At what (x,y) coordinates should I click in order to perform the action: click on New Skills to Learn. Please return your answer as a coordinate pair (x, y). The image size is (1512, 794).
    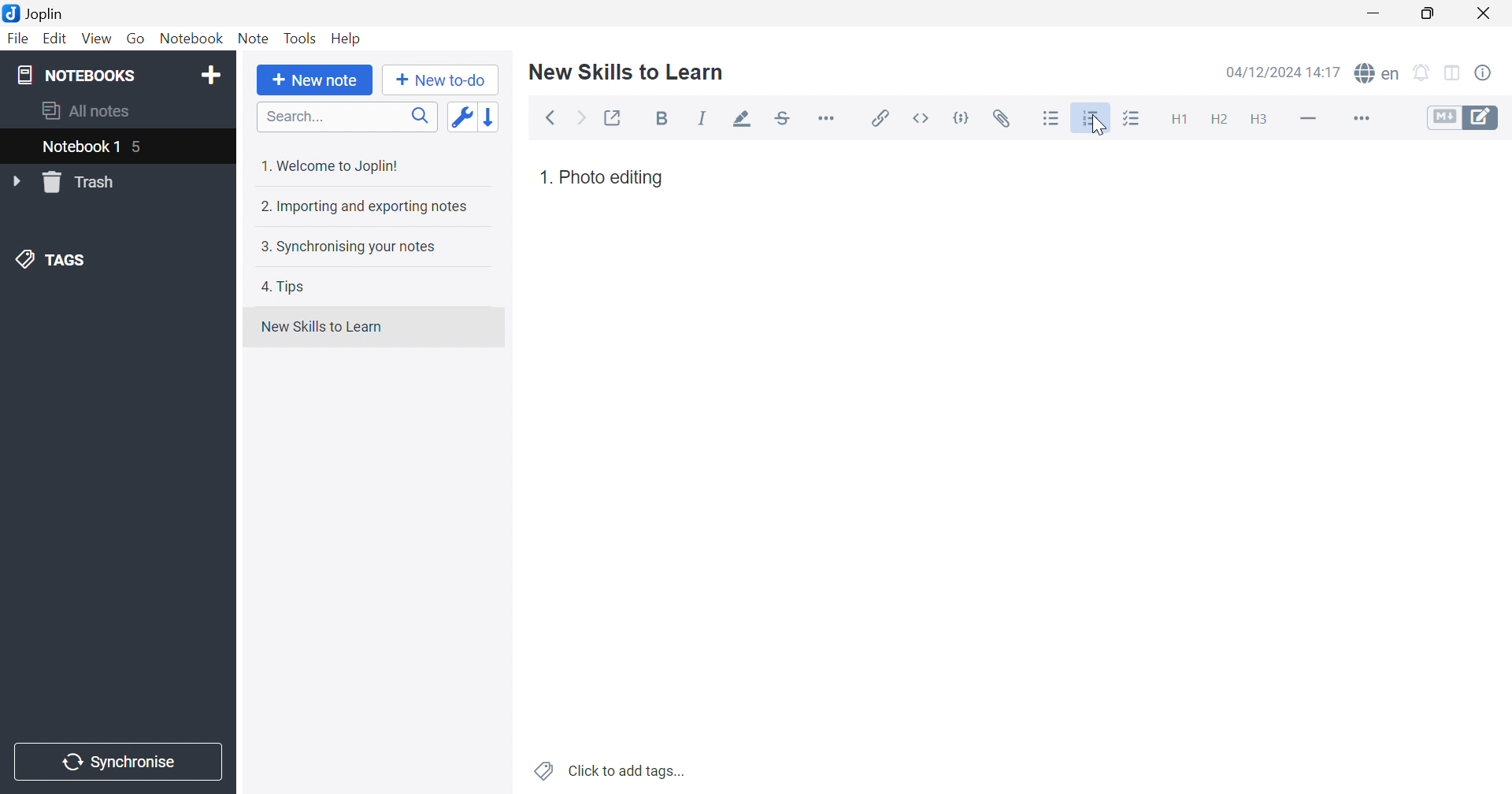
    Looking at the image, I should click on (321, 327).